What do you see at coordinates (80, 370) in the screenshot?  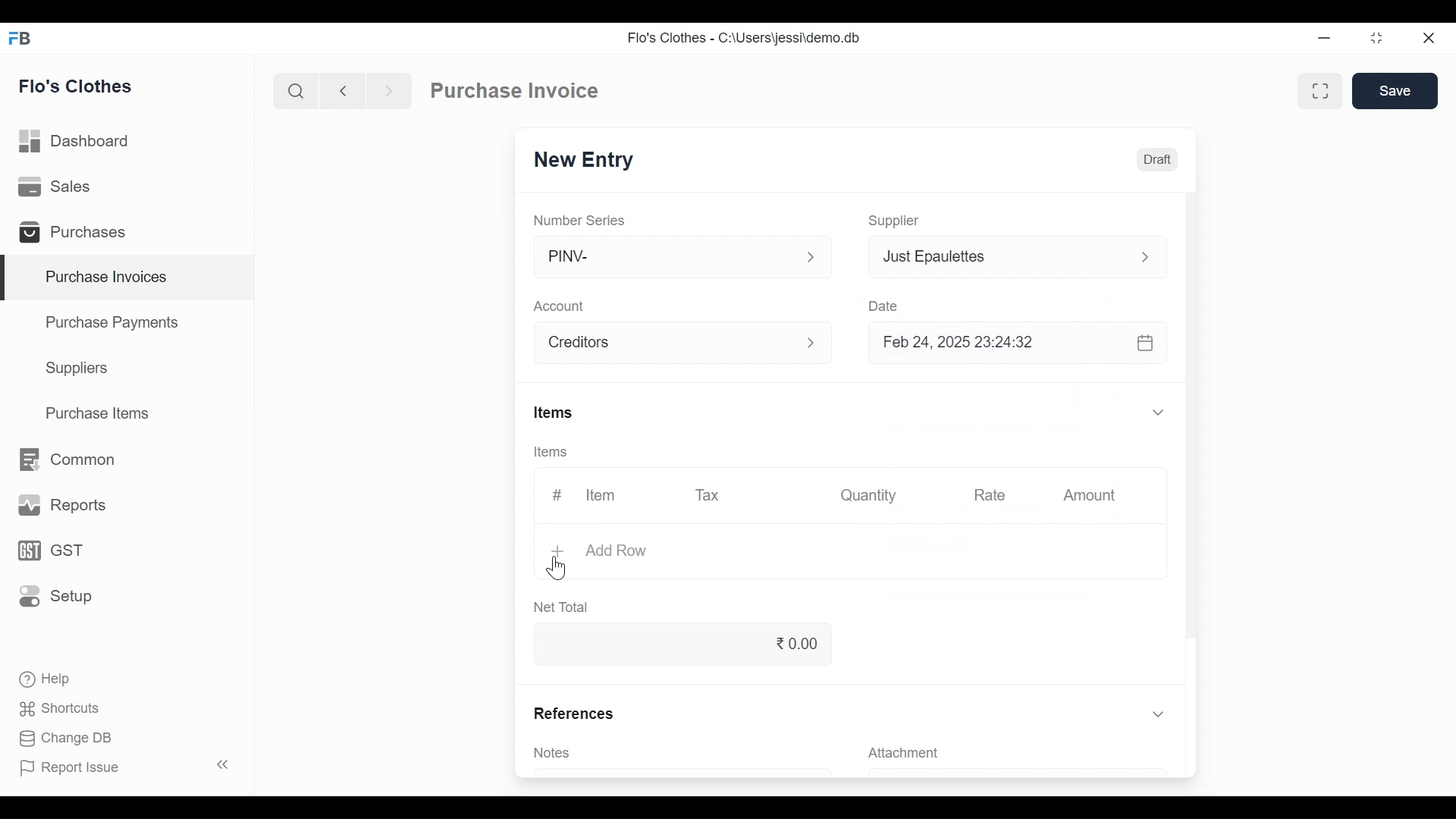 I see `Suppliers` at bounding box center [80, 370].